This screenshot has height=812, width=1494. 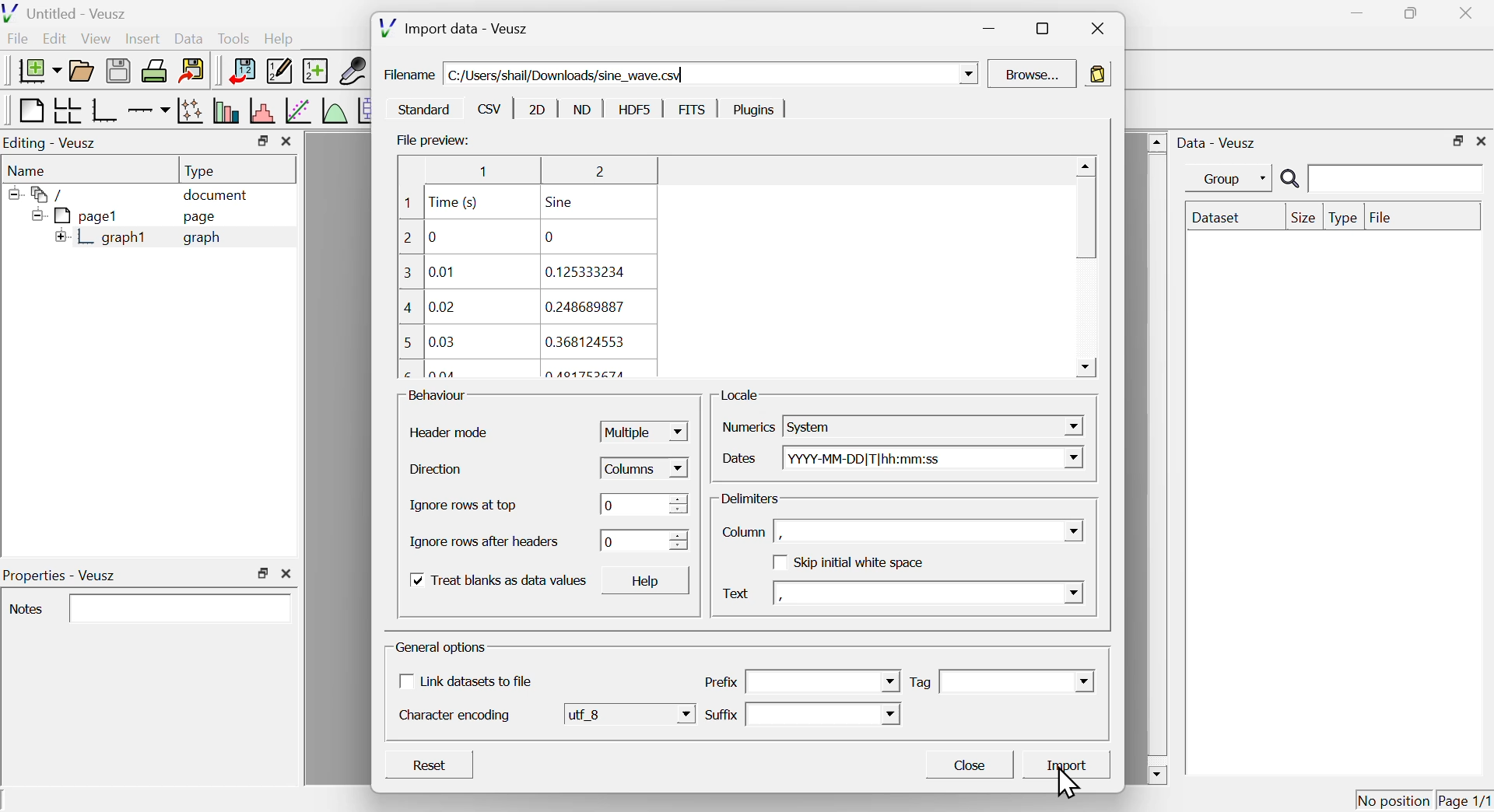 What do you see at coordinates (1071, 782) in the screenshot?
I see `cursor` at bounding box center [1071, 782].